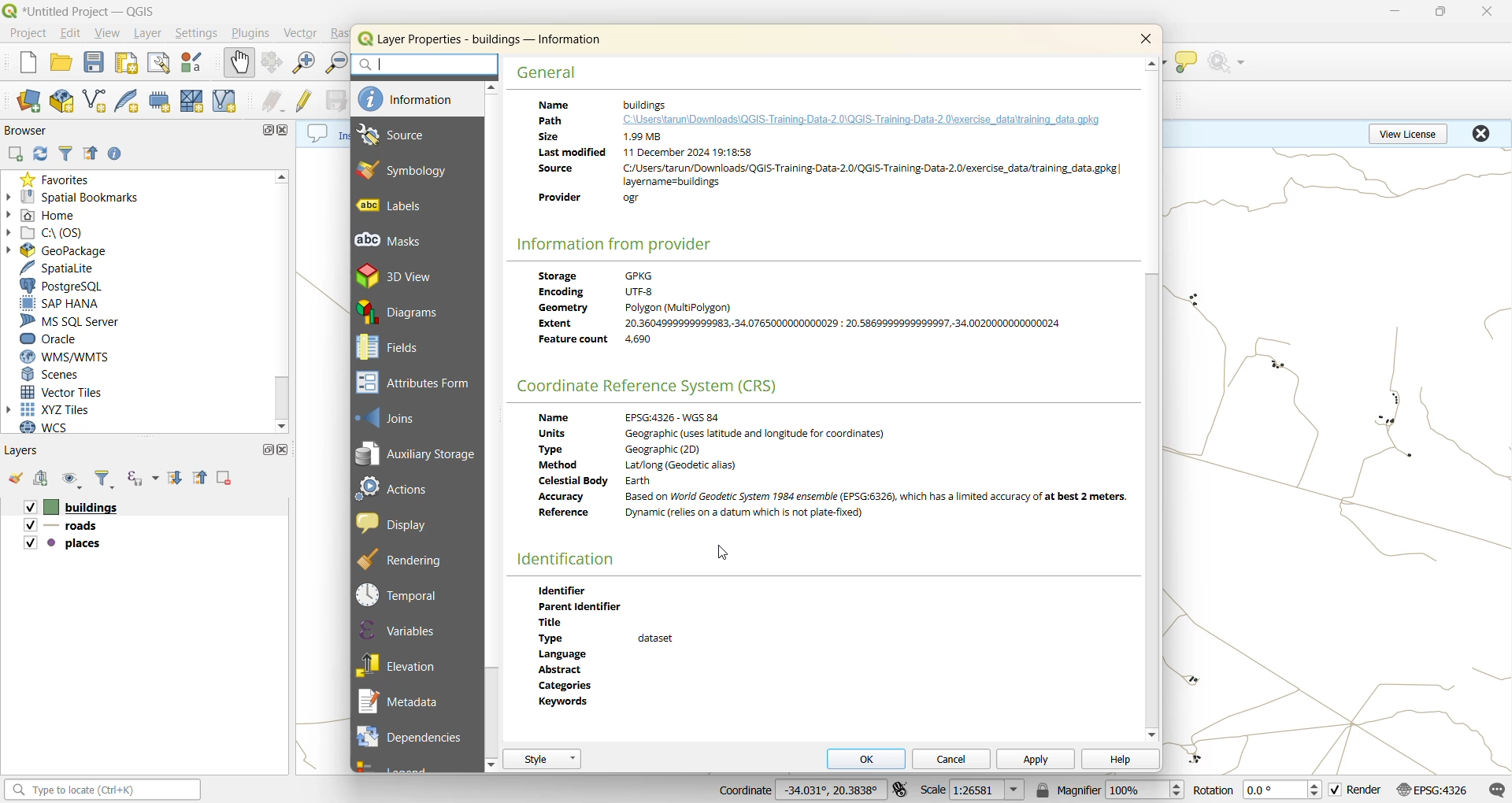 This screenshot has height=803, width=1512. Describe the element at coordinates (593, 102) in the screenshot. I see `metadata` at that location.